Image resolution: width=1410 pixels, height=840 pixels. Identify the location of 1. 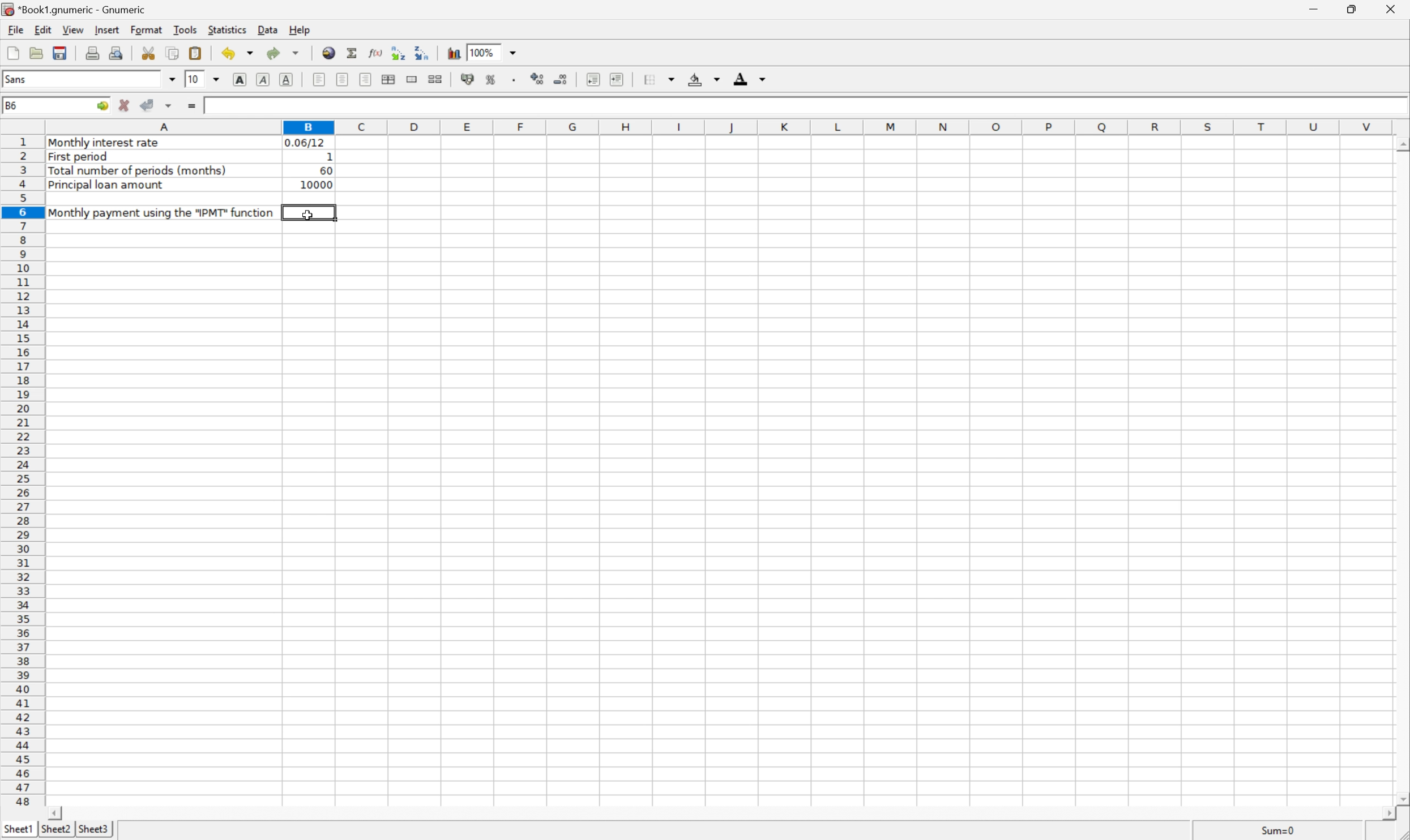
(329, 156).